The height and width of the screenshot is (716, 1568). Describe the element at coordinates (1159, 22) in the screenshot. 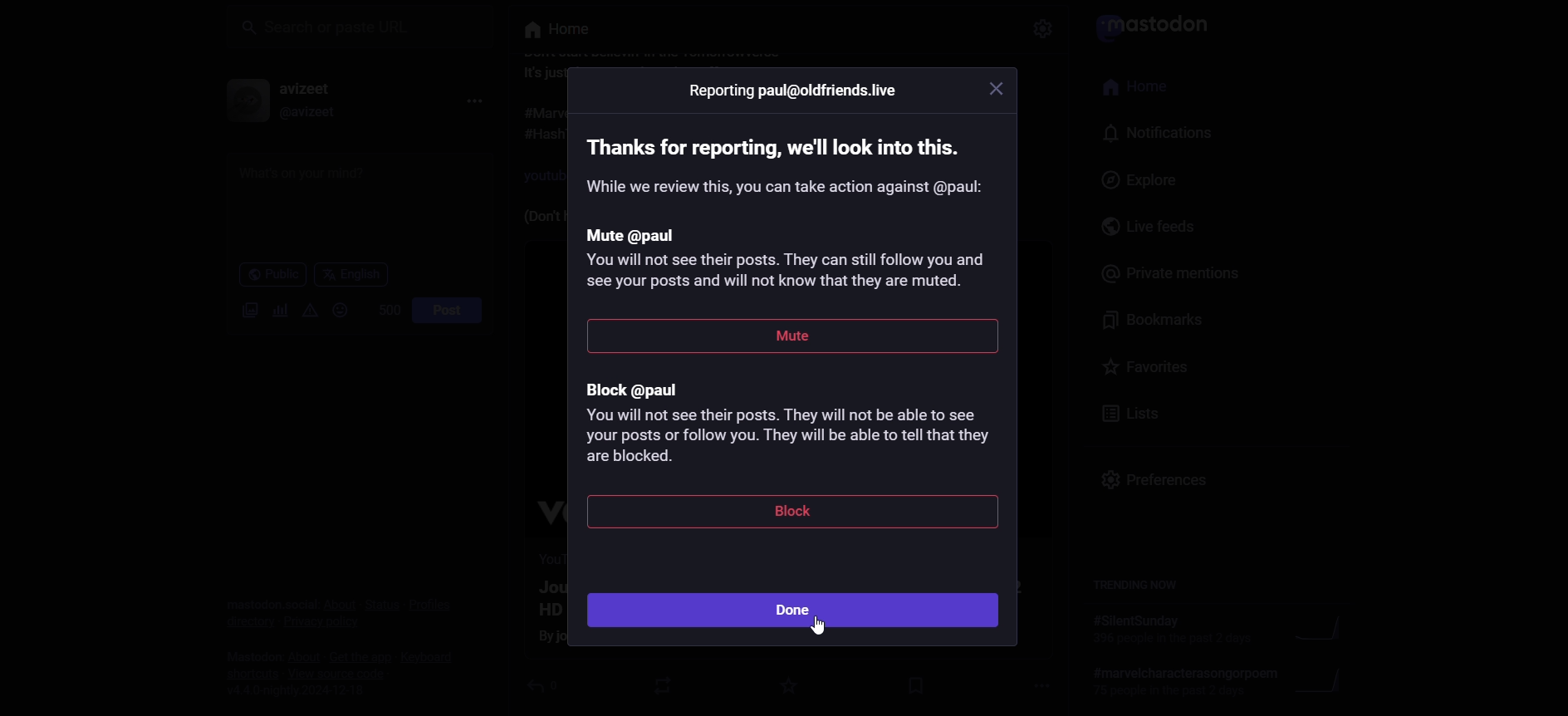

I see `it violates server rule` at that location.